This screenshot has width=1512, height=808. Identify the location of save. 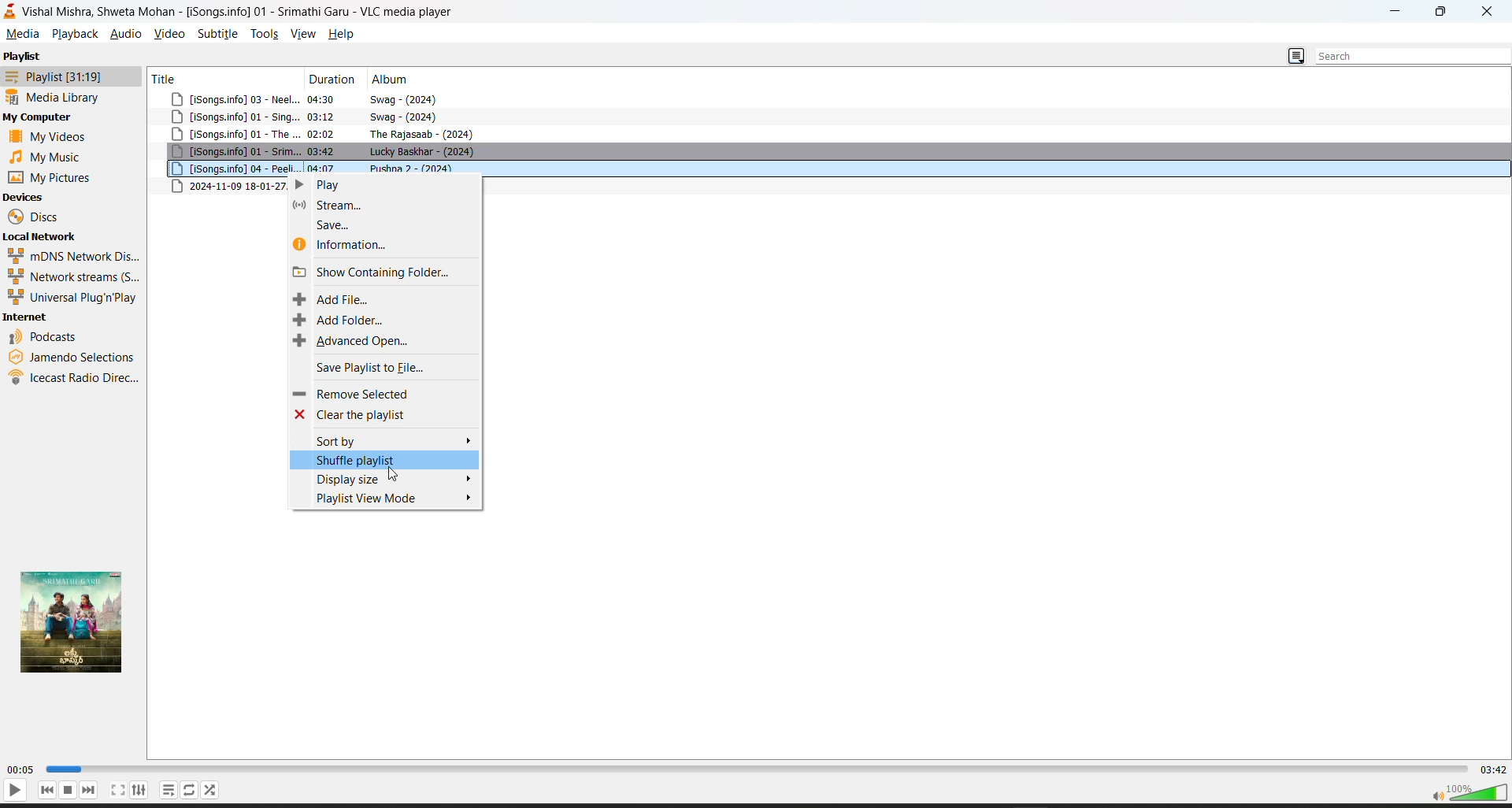
(332, 226).